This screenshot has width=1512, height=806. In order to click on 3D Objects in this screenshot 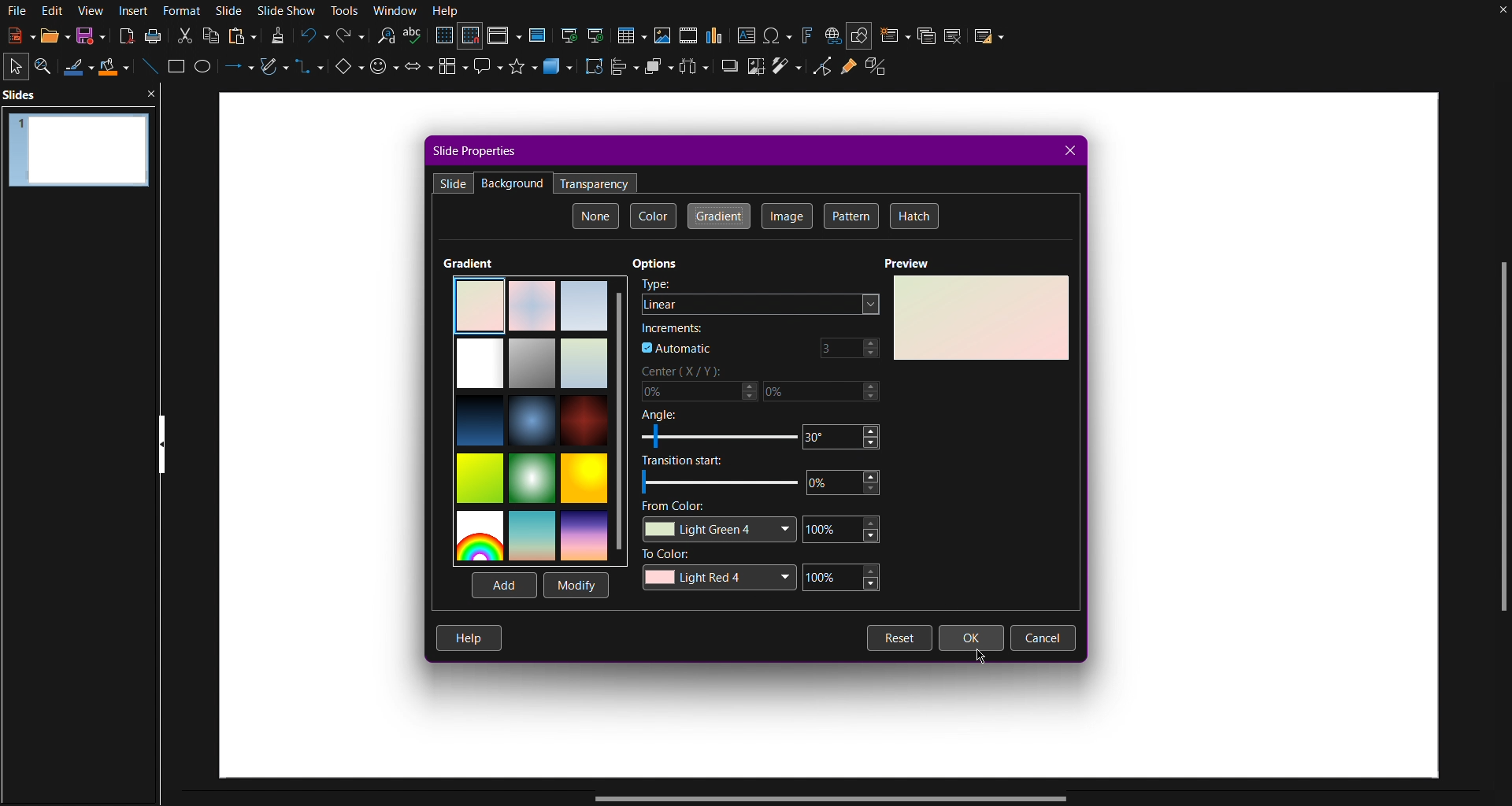, I will do `click(560, 72)`.